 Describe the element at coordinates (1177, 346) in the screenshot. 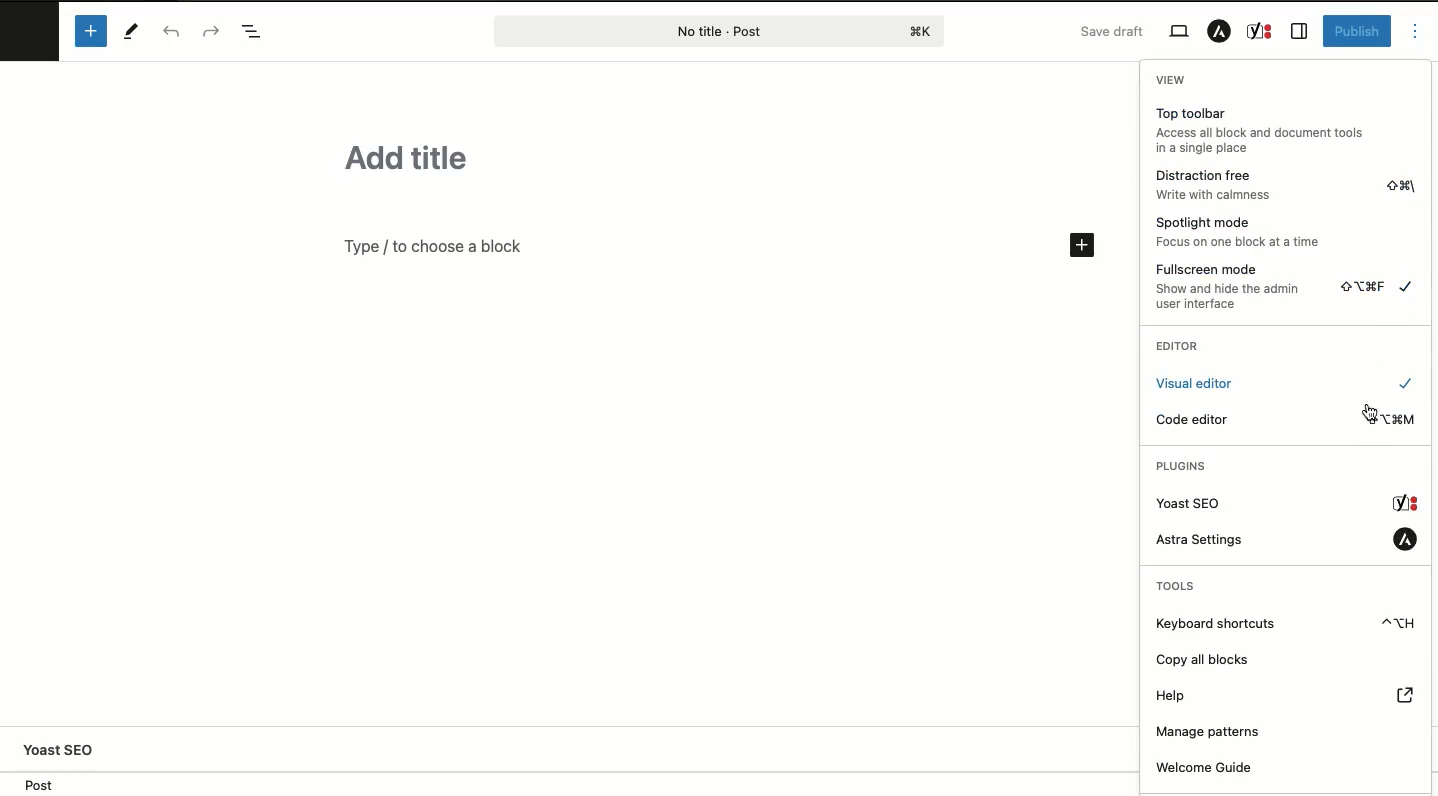

I see `Editor` at that location.